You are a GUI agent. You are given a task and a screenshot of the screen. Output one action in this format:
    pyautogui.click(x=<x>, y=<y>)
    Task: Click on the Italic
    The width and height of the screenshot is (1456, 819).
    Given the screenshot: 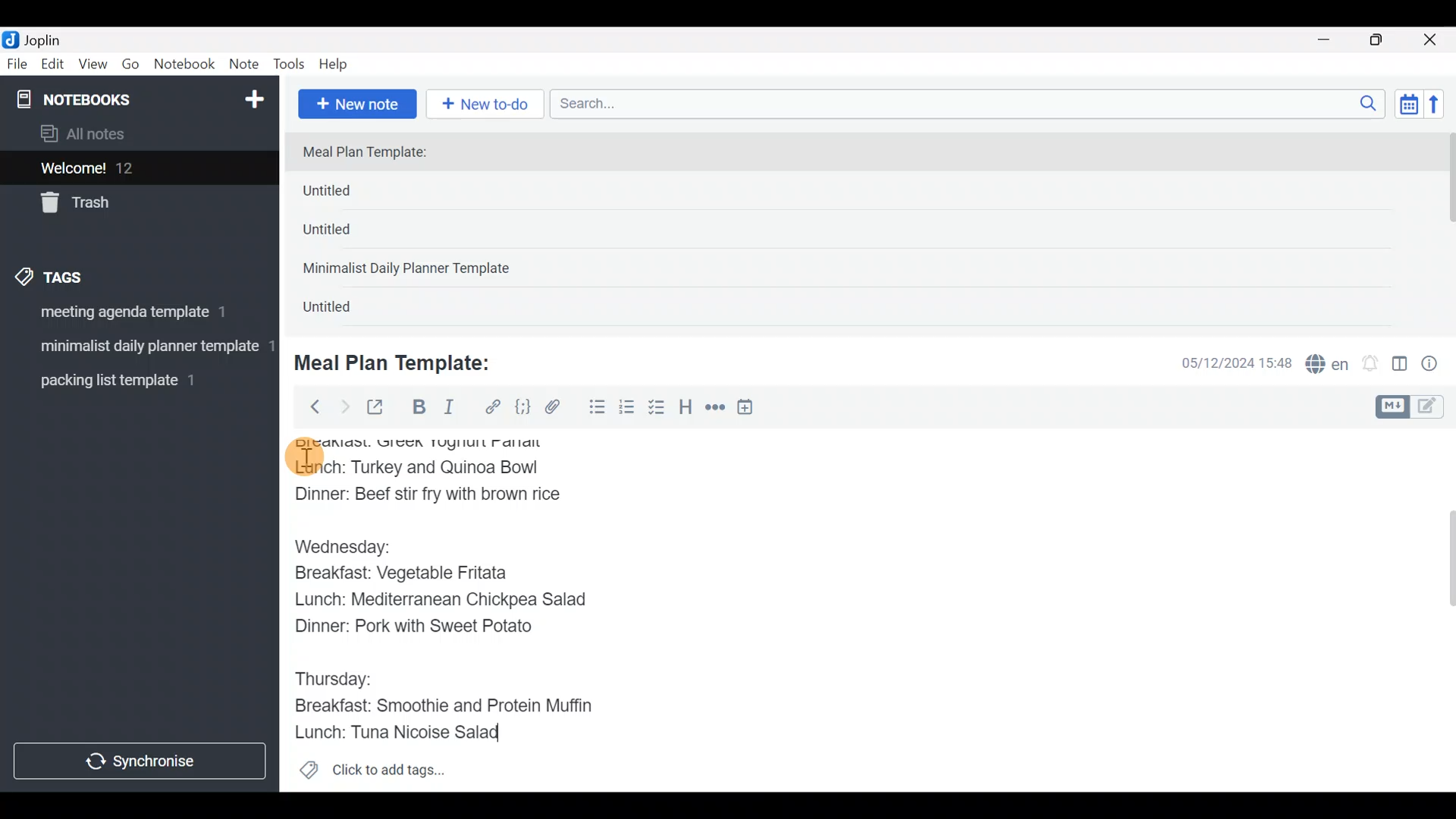 What is the action you would take?
    pyautogui.click(x=447, y=410)
    